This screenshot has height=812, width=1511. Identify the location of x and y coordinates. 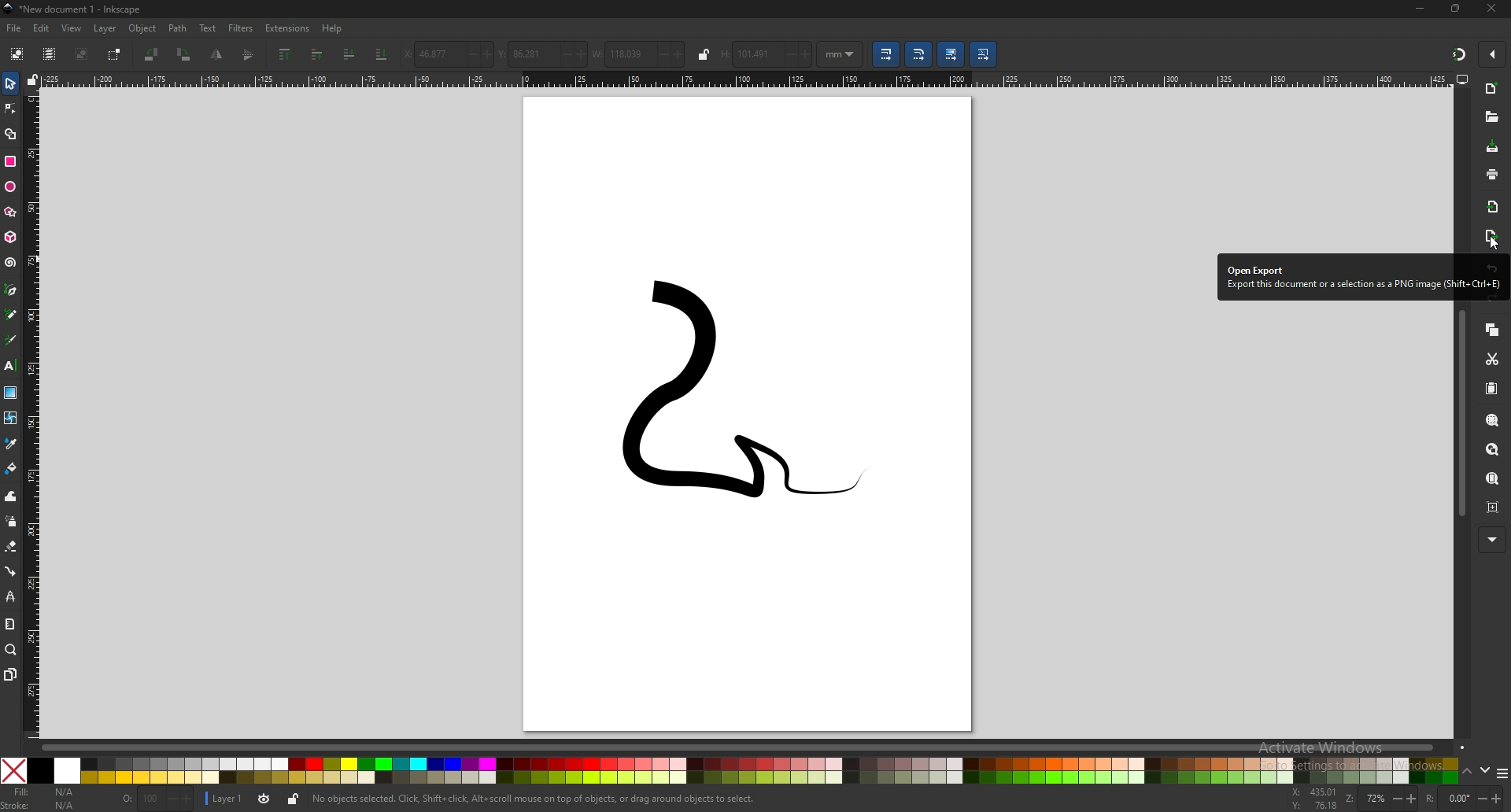
(1313, 798).